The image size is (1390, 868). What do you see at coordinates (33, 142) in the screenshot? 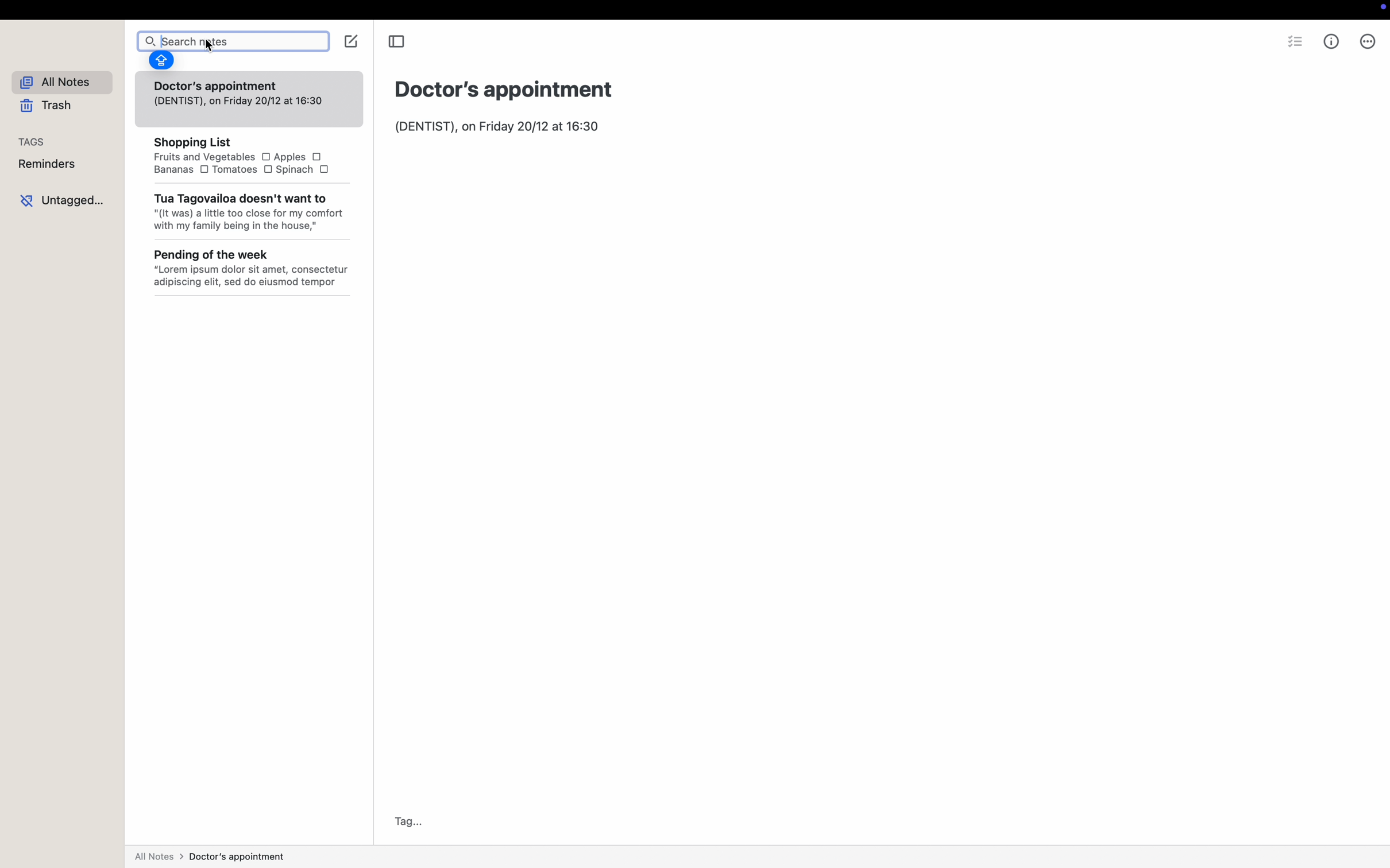
I see `tags` at bounding box center [33, 142].